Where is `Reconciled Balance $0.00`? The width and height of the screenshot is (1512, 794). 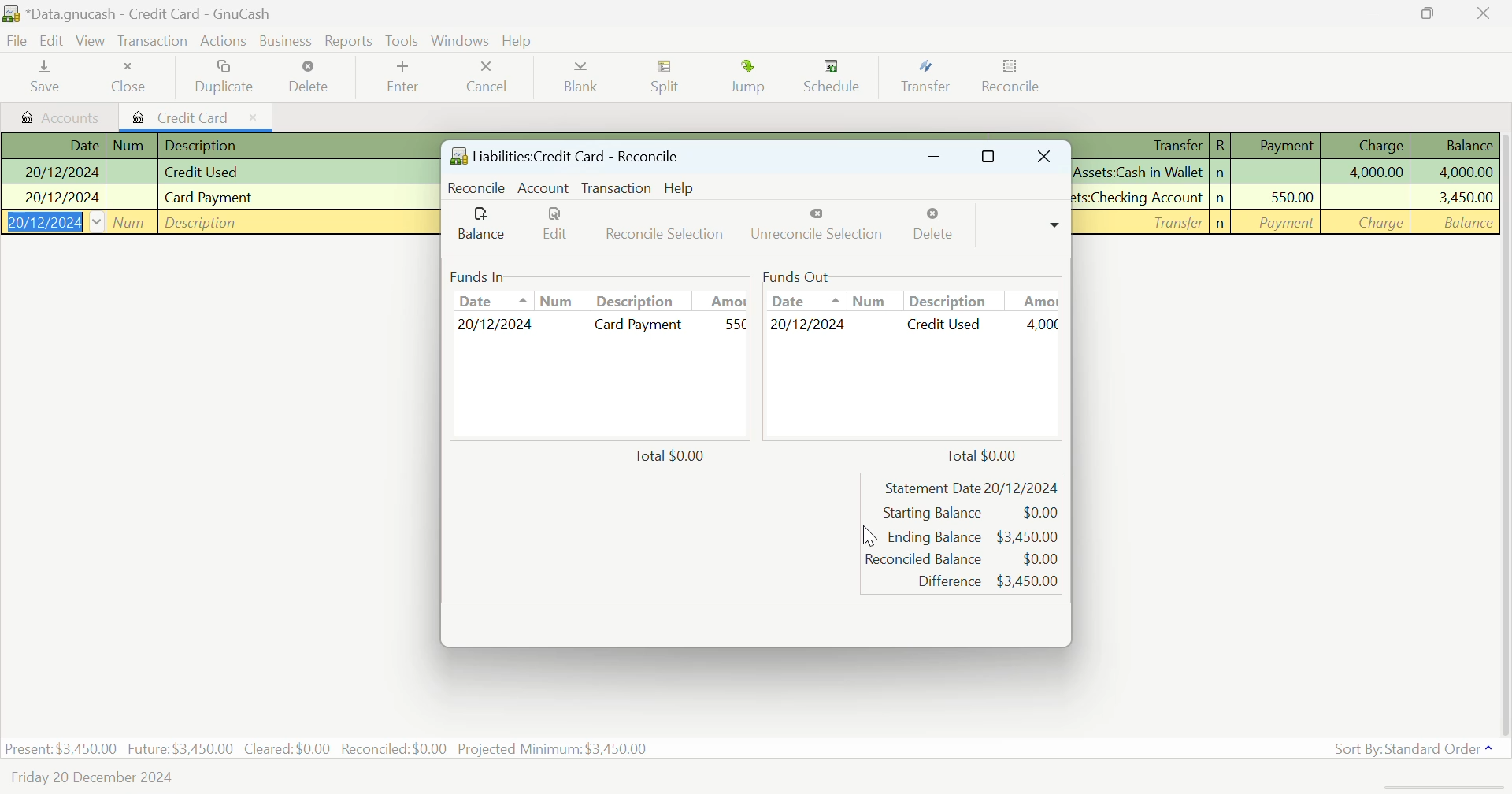 Reconciled Balance $0.00 is located at coordinates (962, 558).